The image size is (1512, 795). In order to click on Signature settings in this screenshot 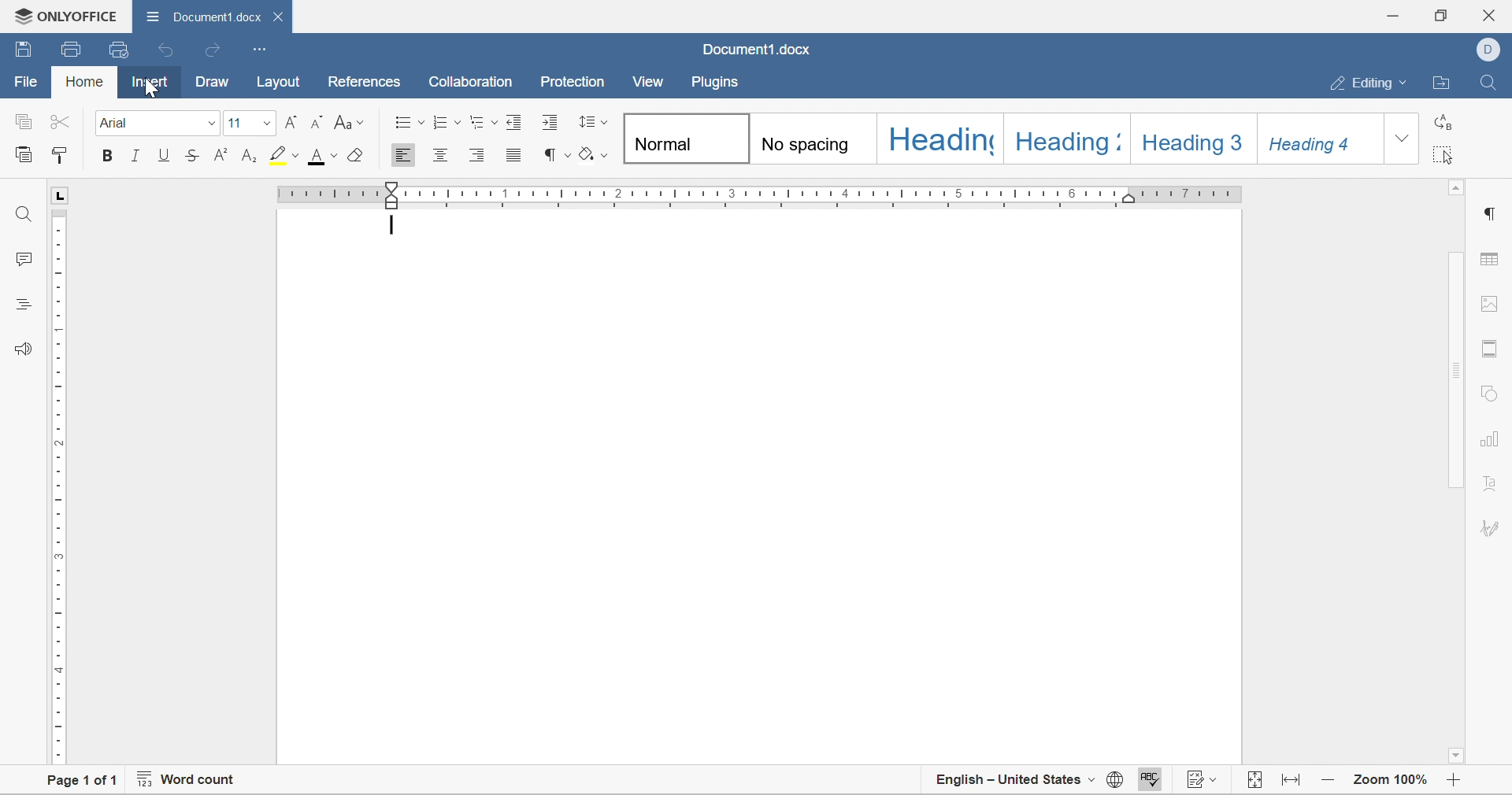, I will do `click(1490, 490)`.